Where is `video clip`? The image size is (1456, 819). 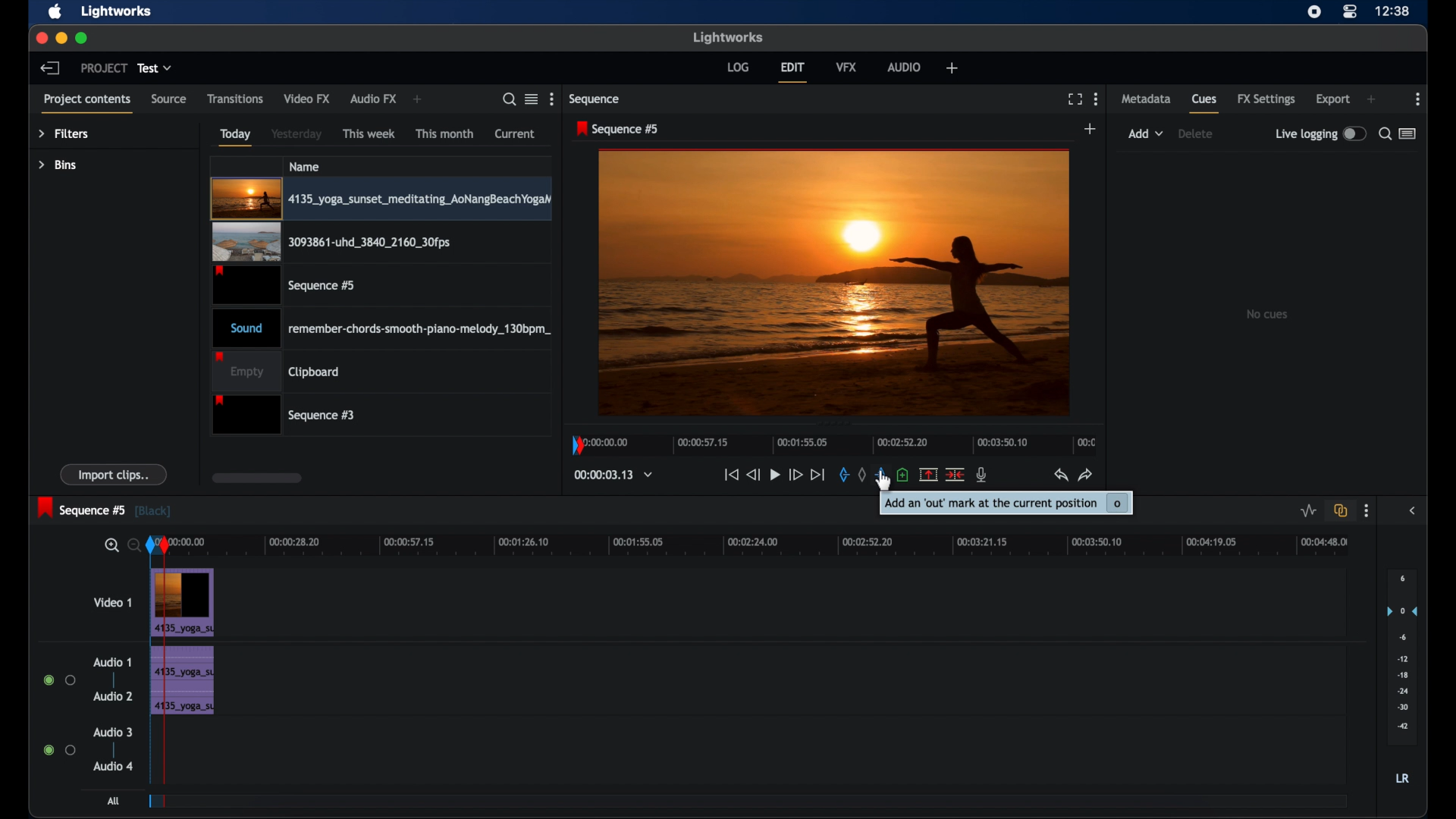 video clip is located at coordinates (381, 199).